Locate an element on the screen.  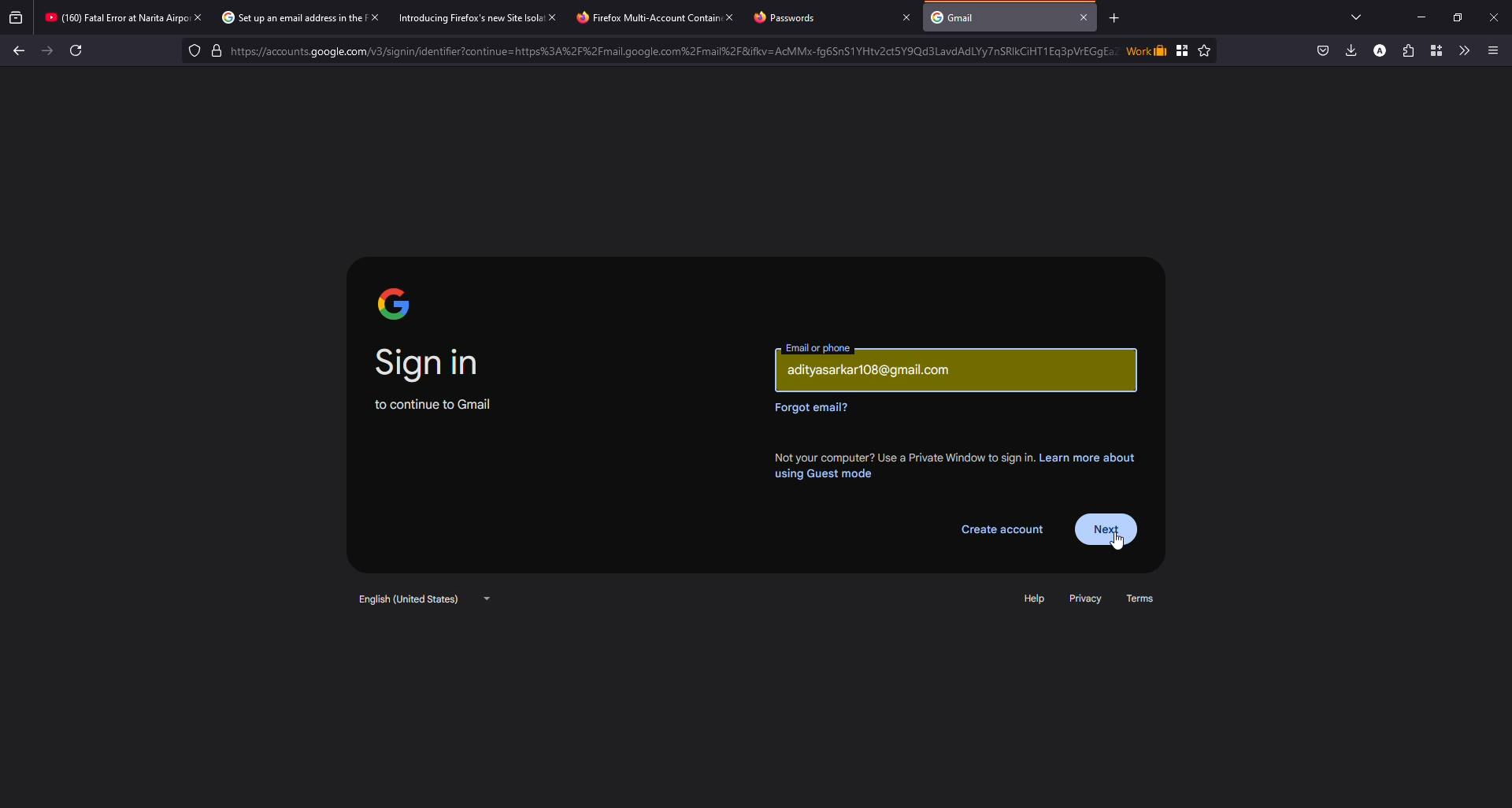
Set up an email address in is located at coordinates (280, 17).